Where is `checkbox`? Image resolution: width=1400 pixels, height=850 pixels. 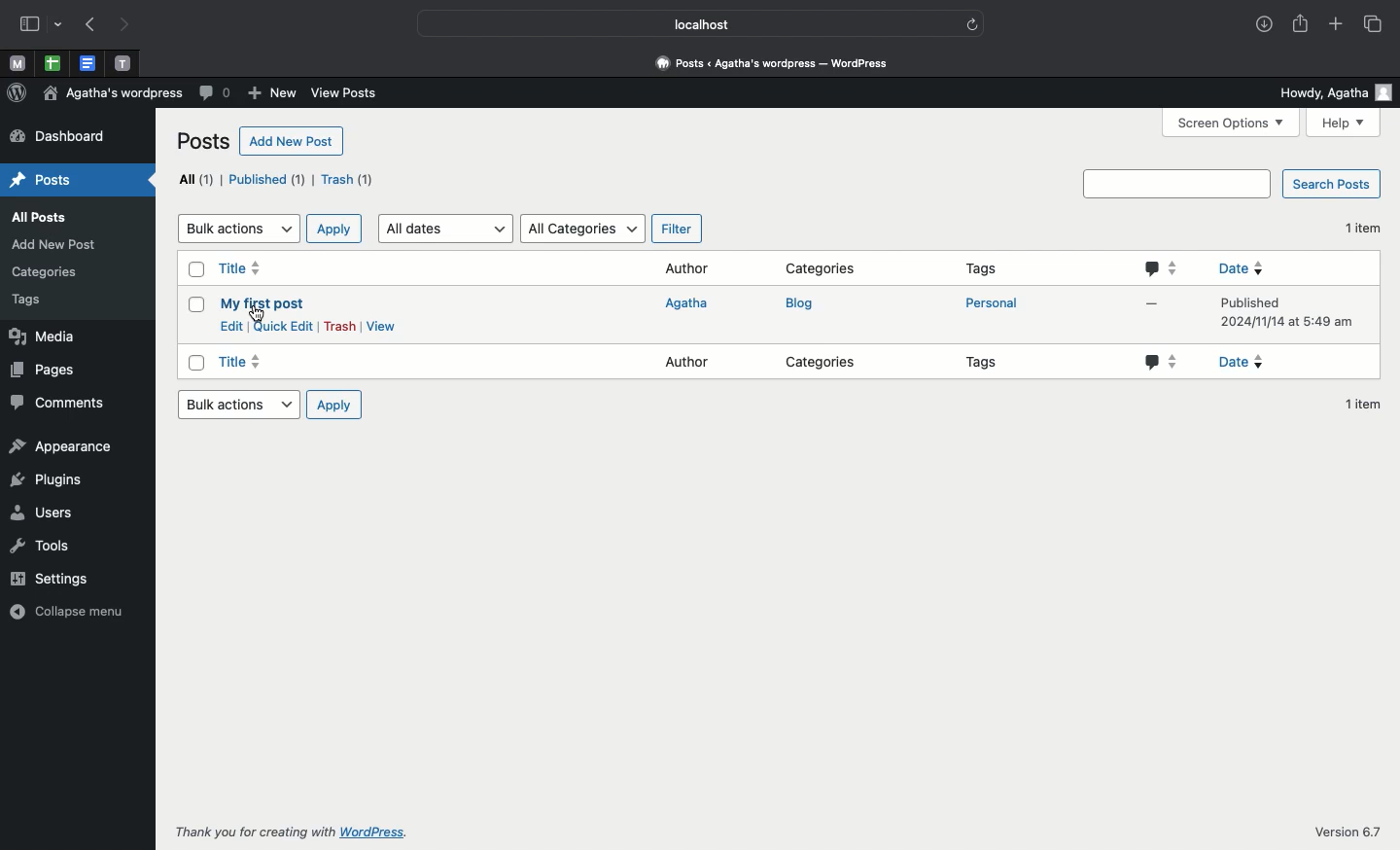 checkbox is located at coordinates (193, 307).